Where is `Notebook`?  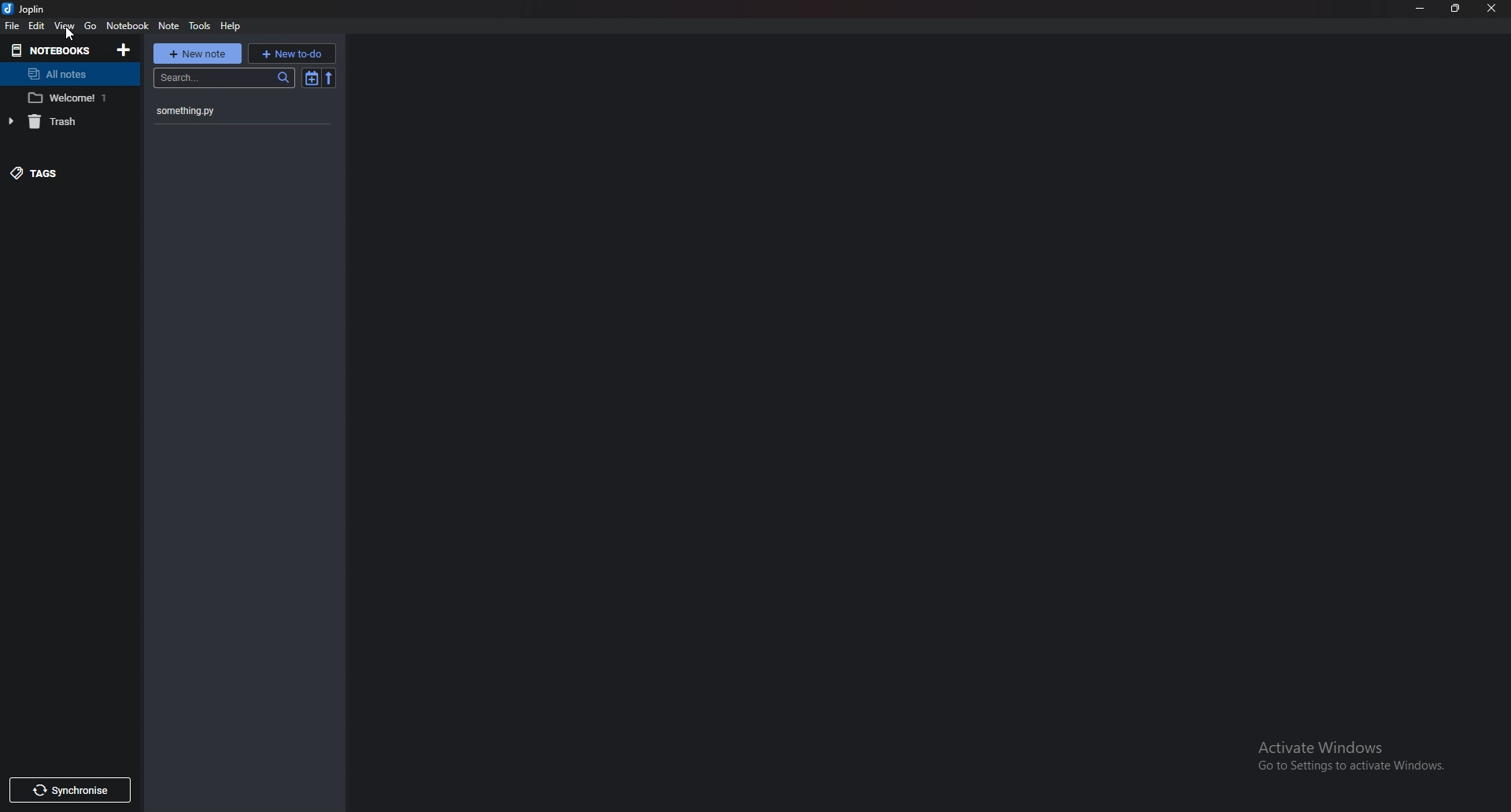
Notebook is located at coordinates (127, 25).